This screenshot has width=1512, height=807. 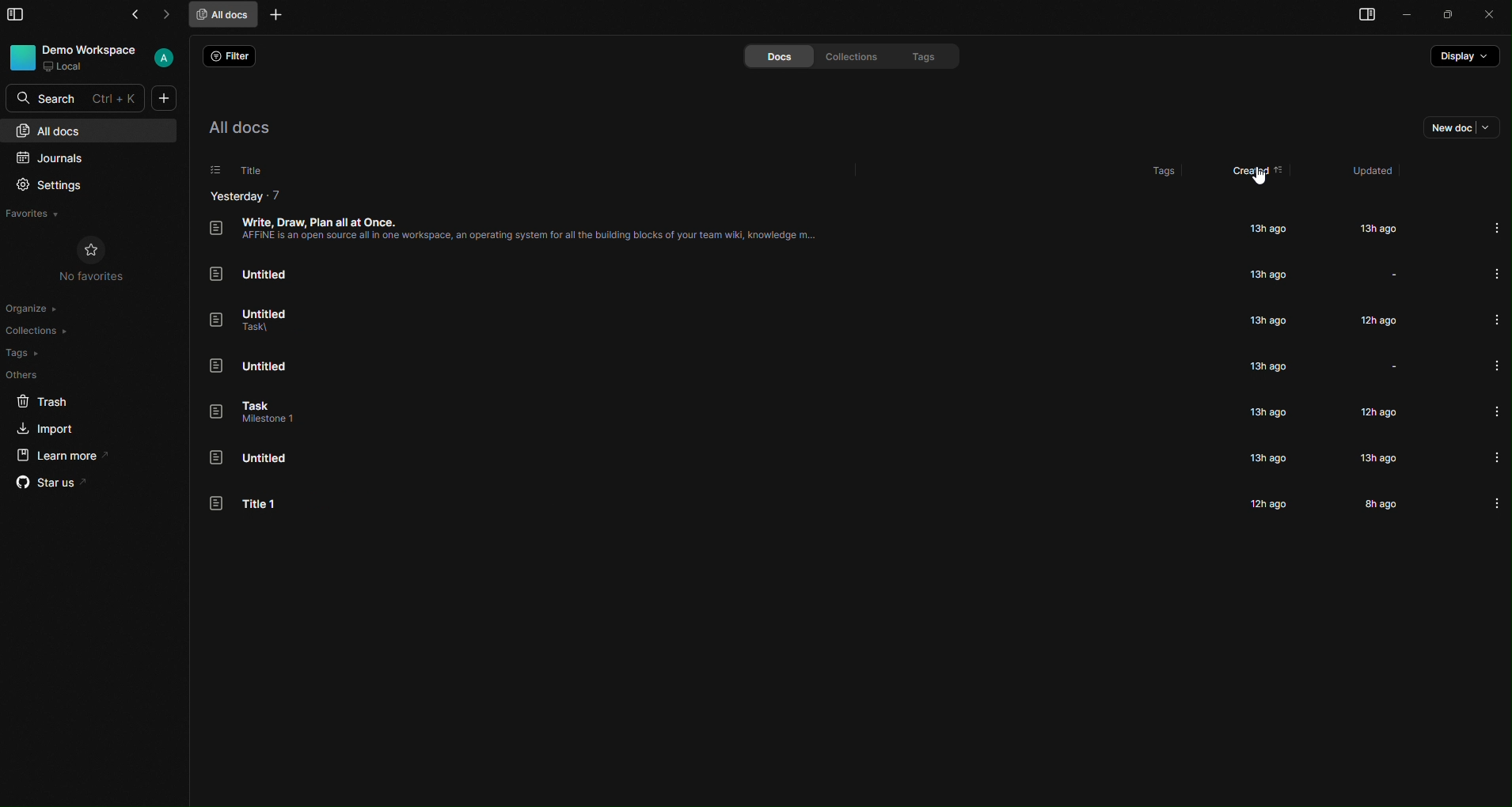 What do you see at coordinates (1381, 174) in the screenshot?
I see `updated` at bounding box center [1381, 174].